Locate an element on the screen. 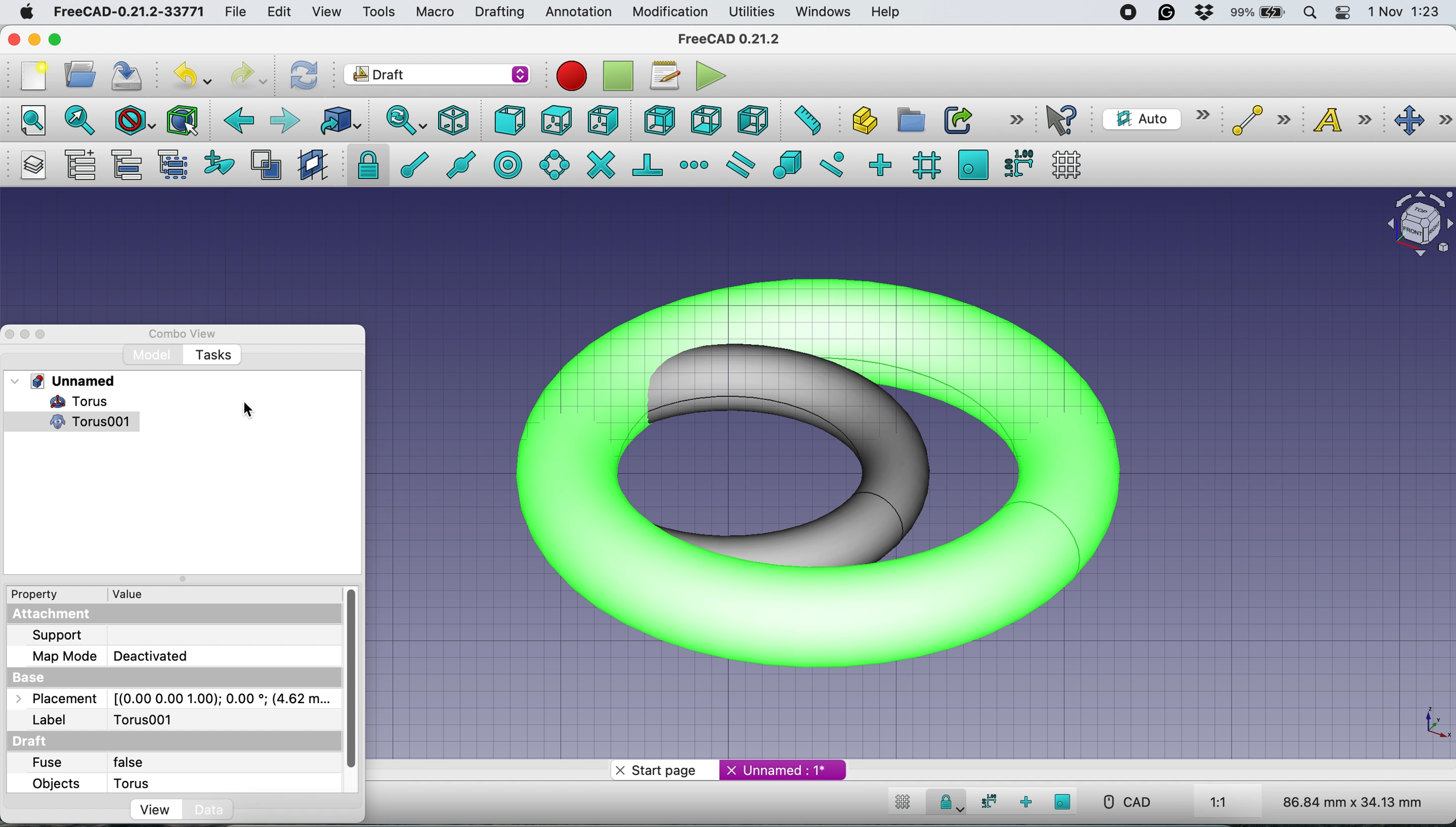  snap ortho is located at coordinates (1024, 801).